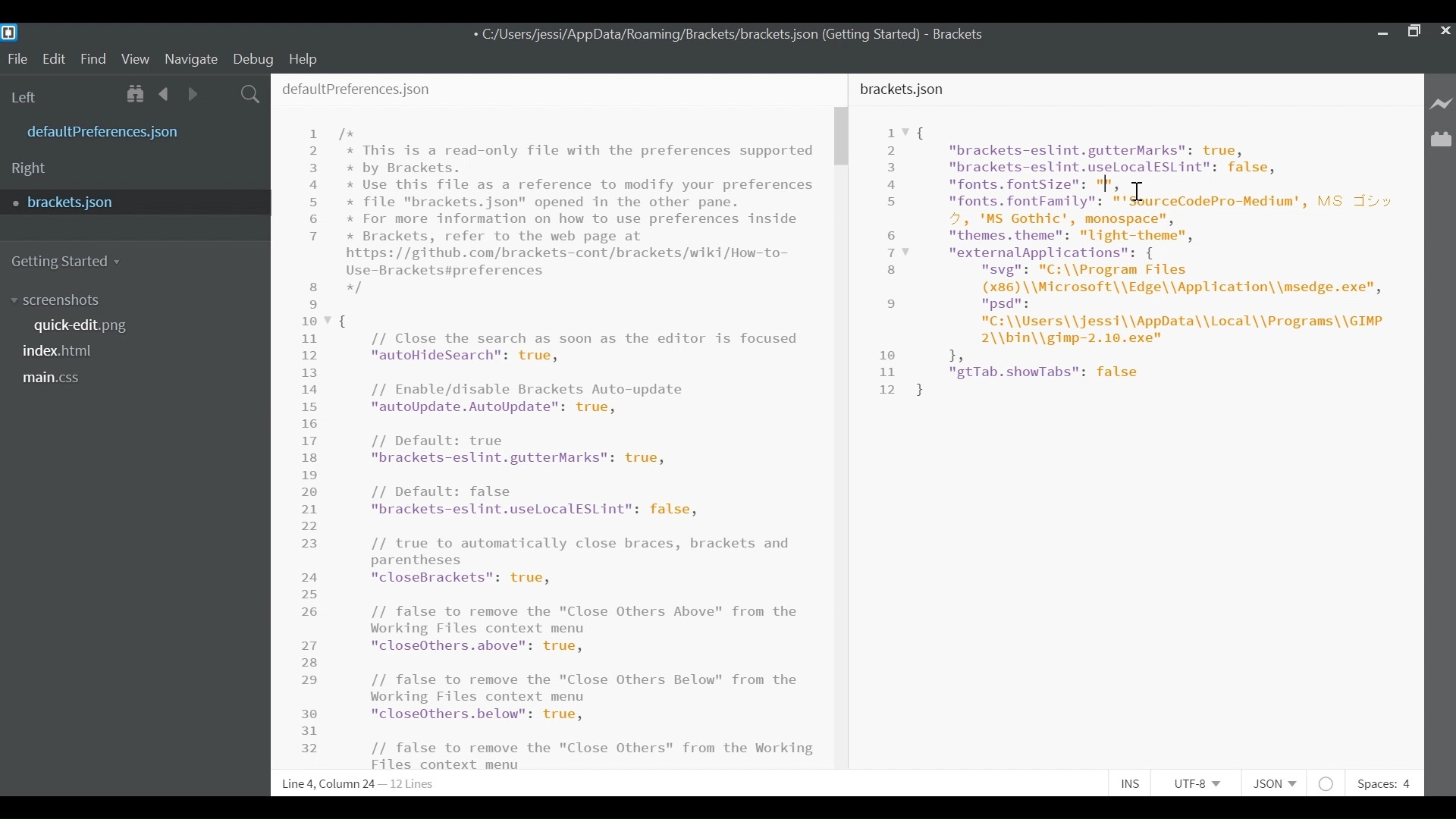  What do you see at coordinates (75, 301) in the screenshot?
I see `screenshot` at bounding box center [75, 301].